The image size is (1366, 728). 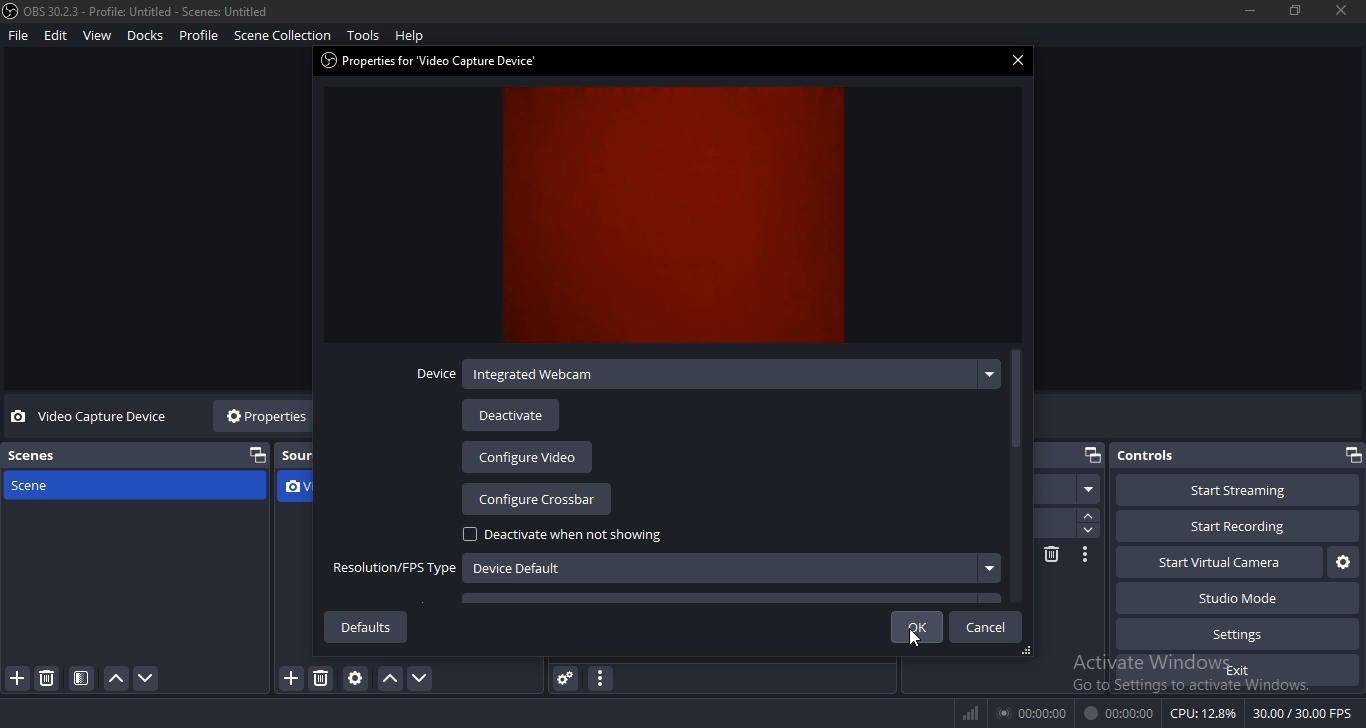 I want to click on resolution/FPS type, so click(x=663, y=566).